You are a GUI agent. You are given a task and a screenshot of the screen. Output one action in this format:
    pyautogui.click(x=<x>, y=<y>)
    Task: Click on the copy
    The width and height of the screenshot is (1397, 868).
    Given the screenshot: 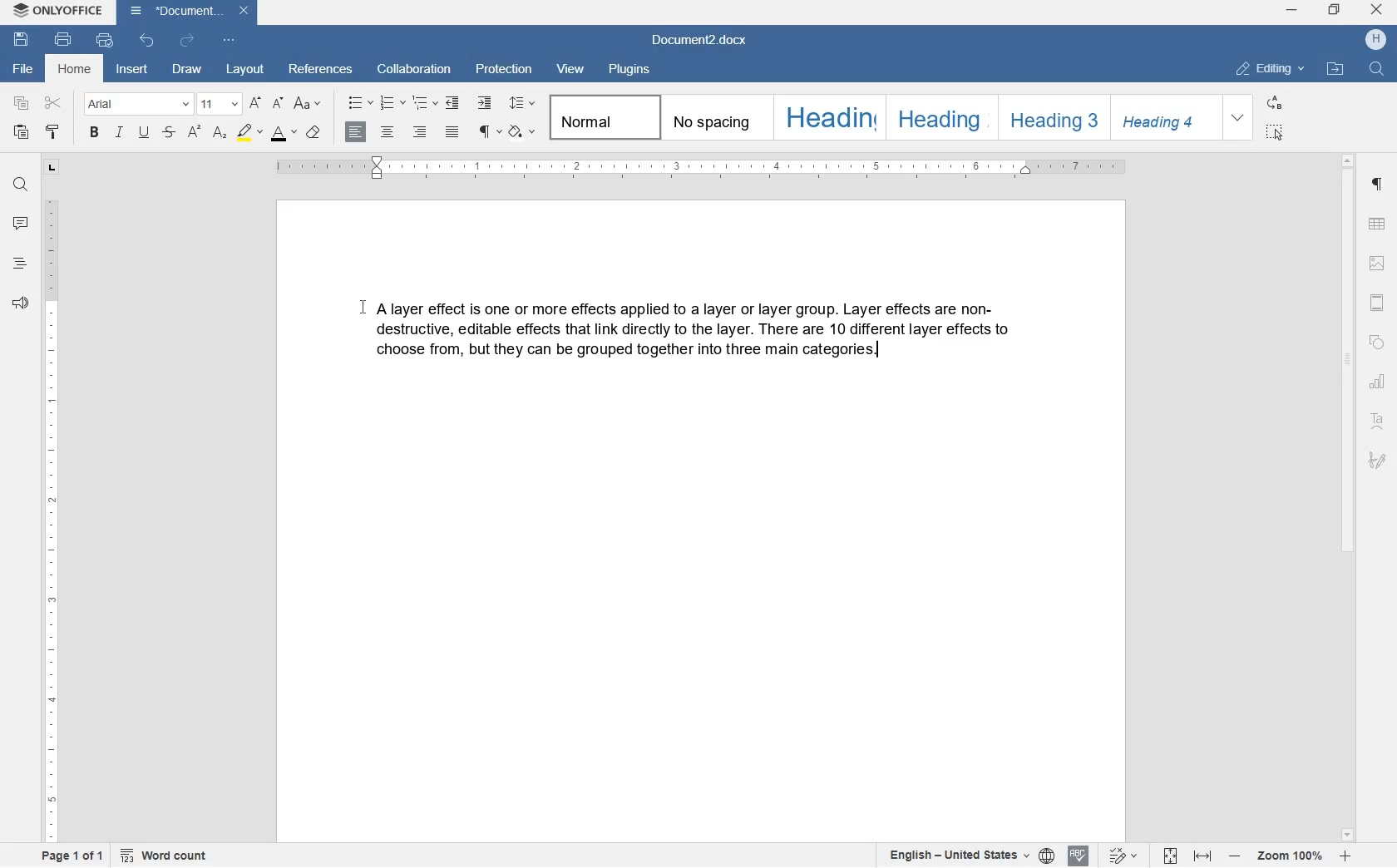 What is the action you would take?
    pyautogui.click(x=21, y=102)
    